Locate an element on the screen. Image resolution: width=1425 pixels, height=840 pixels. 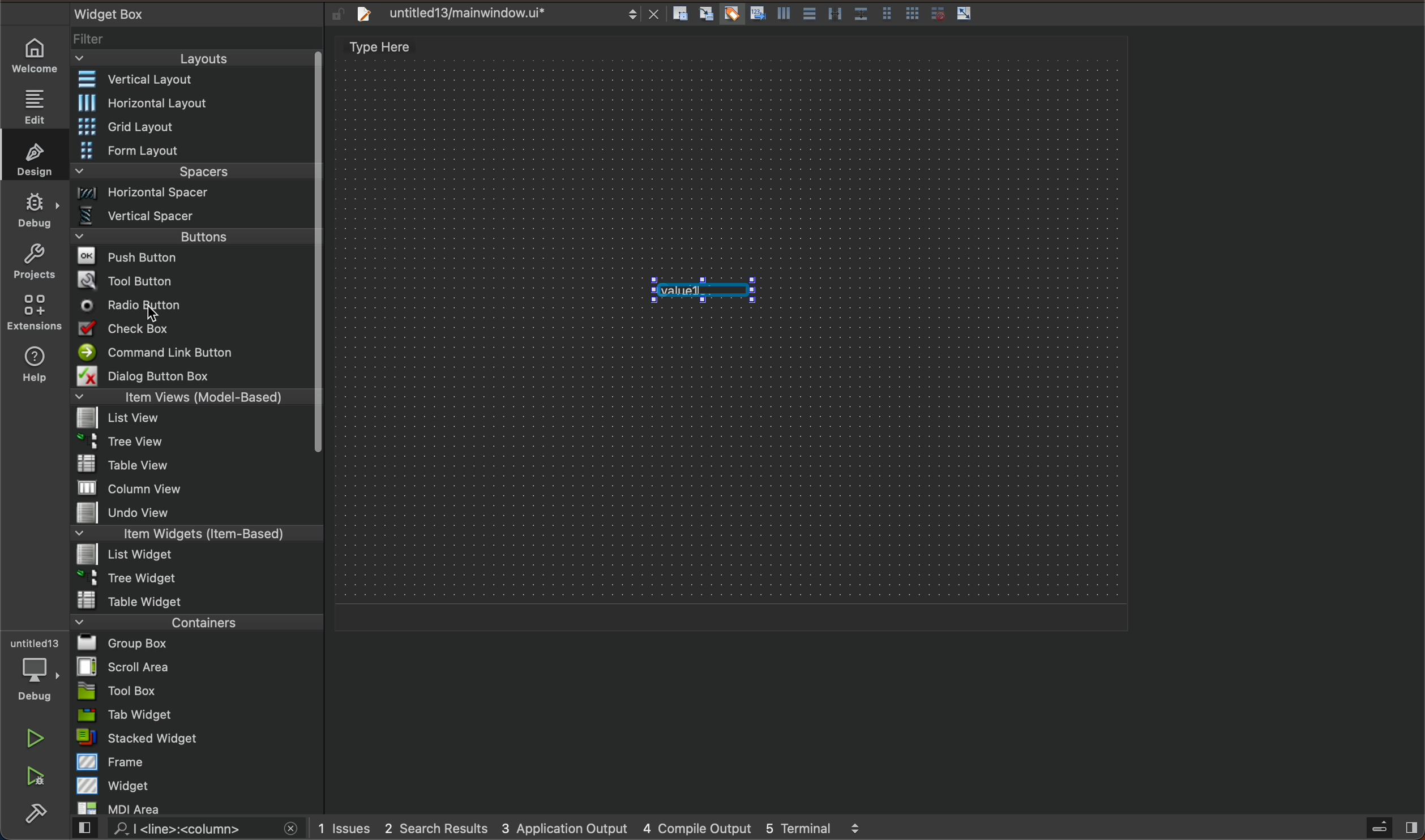
run is located at coordinates (37, 738).